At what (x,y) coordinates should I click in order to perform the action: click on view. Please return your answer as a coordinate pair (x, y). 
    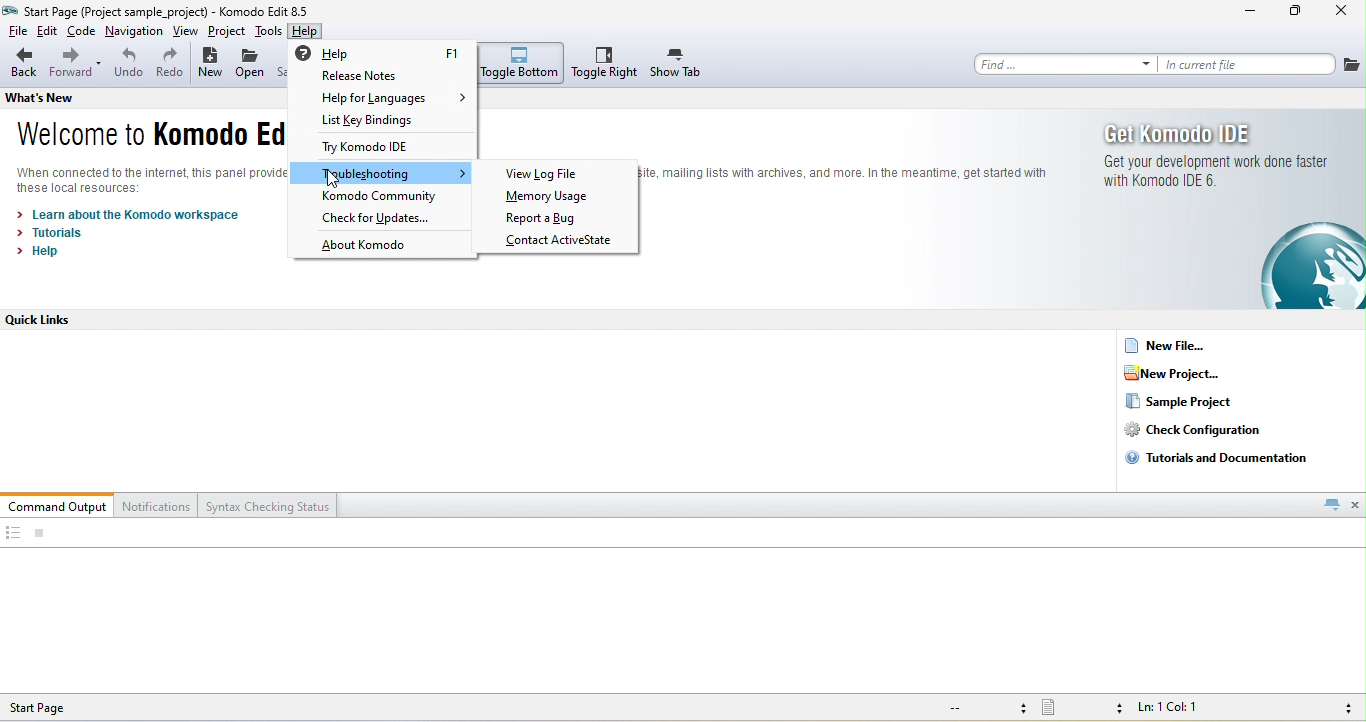
    Looking at the image, I should click on (187, 32).